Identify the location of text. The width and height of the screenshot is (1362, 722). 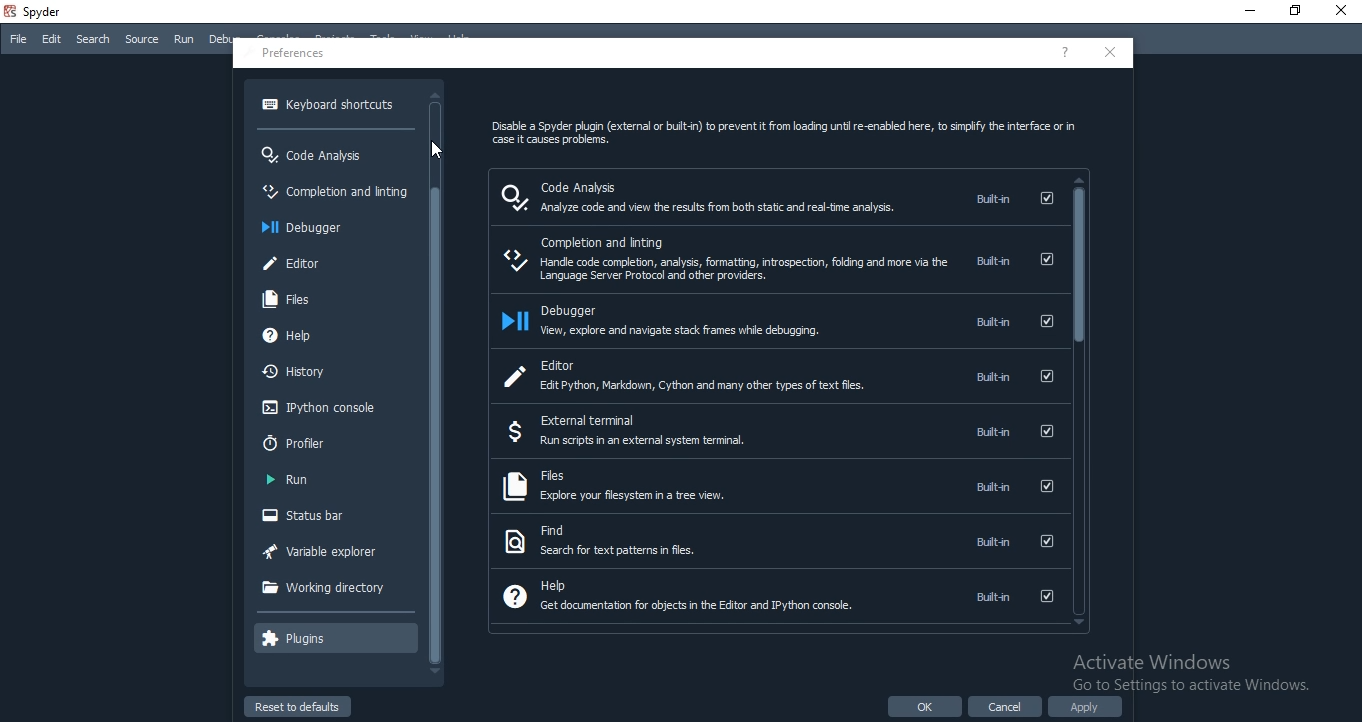
(991, 199).